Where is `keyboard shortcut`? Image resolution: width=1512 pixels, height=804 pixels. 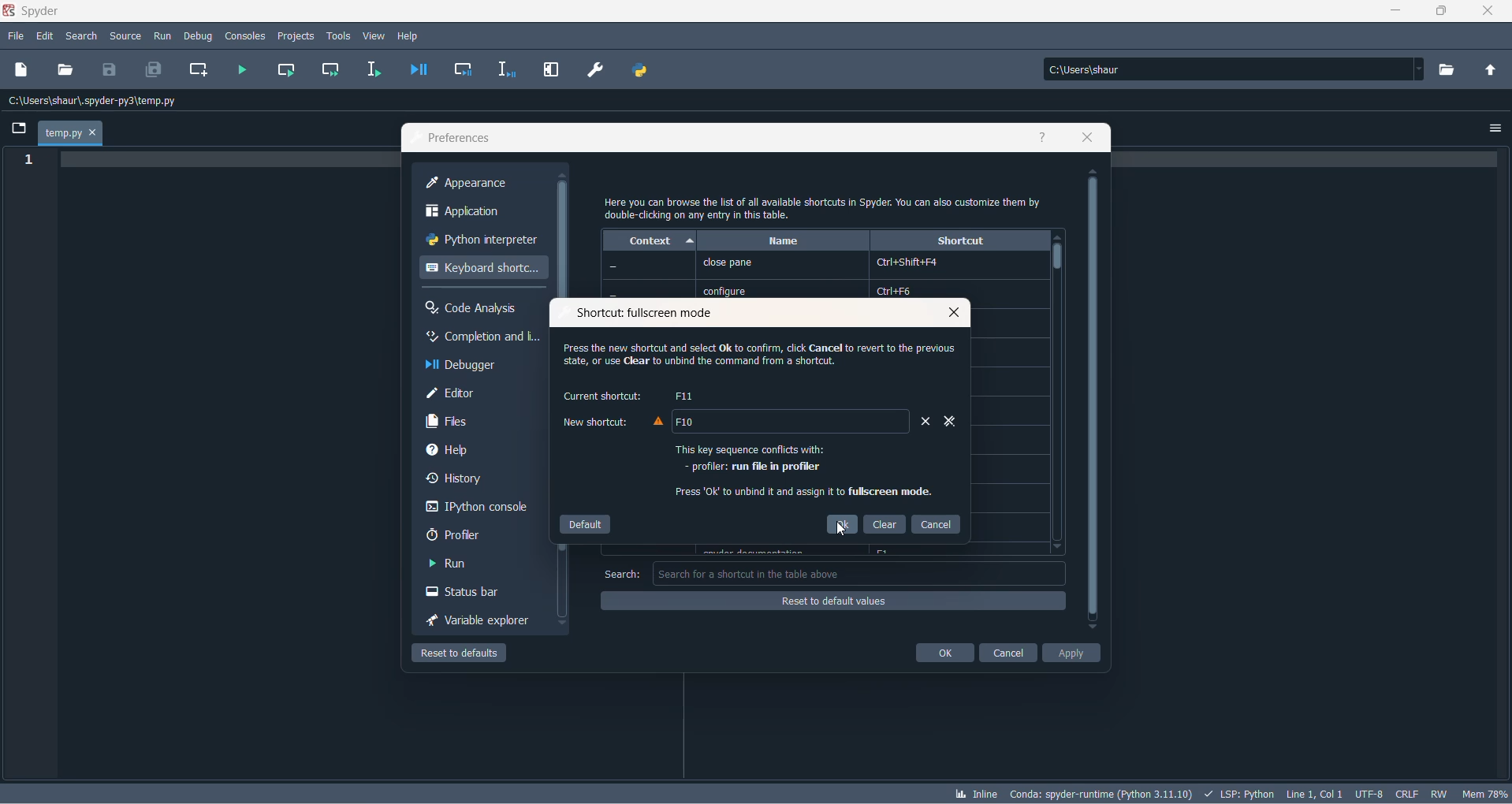 keyboard shortcut is located at coordinates (482, 269).